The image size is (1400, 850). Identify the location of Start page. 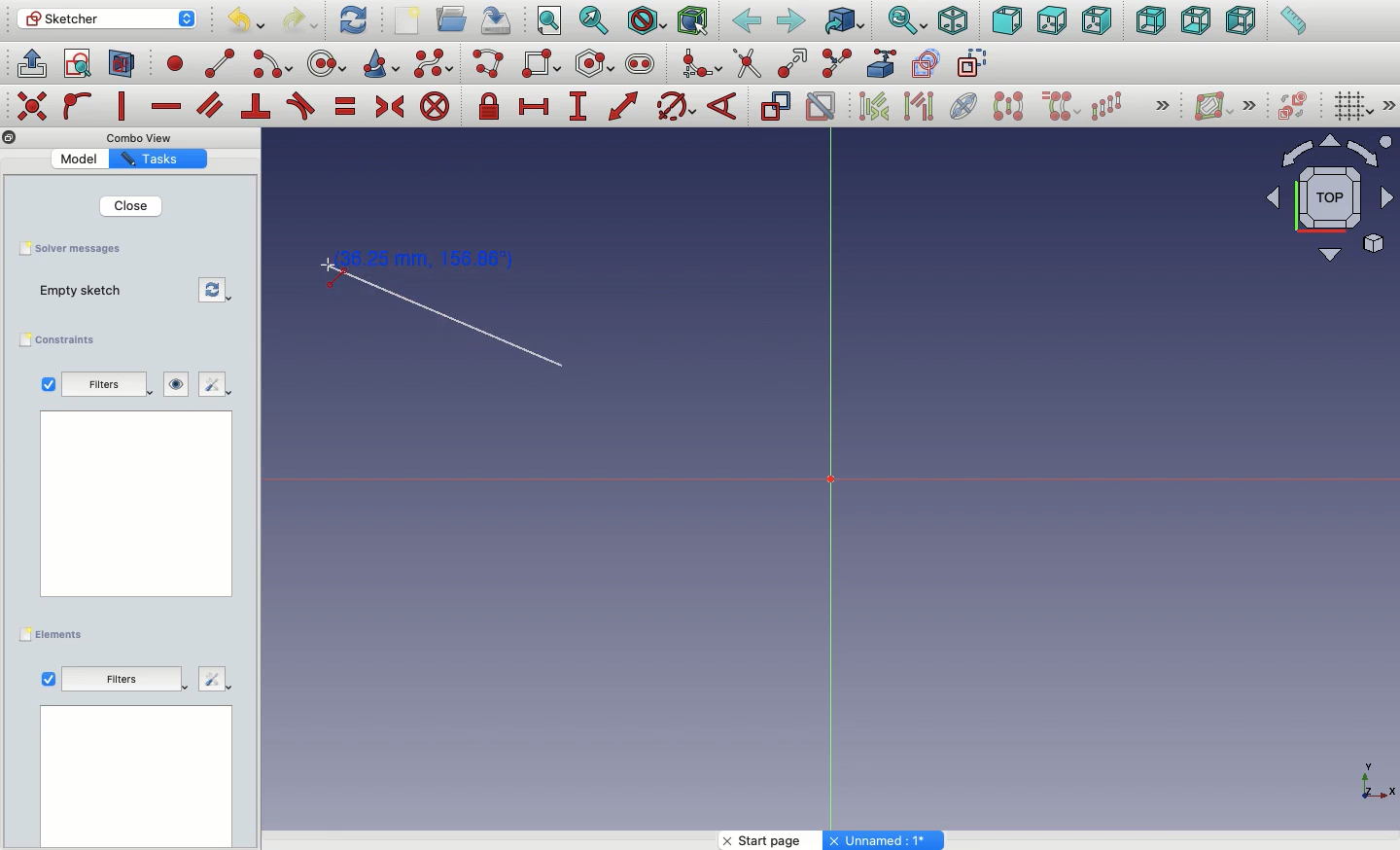
(772, 840).